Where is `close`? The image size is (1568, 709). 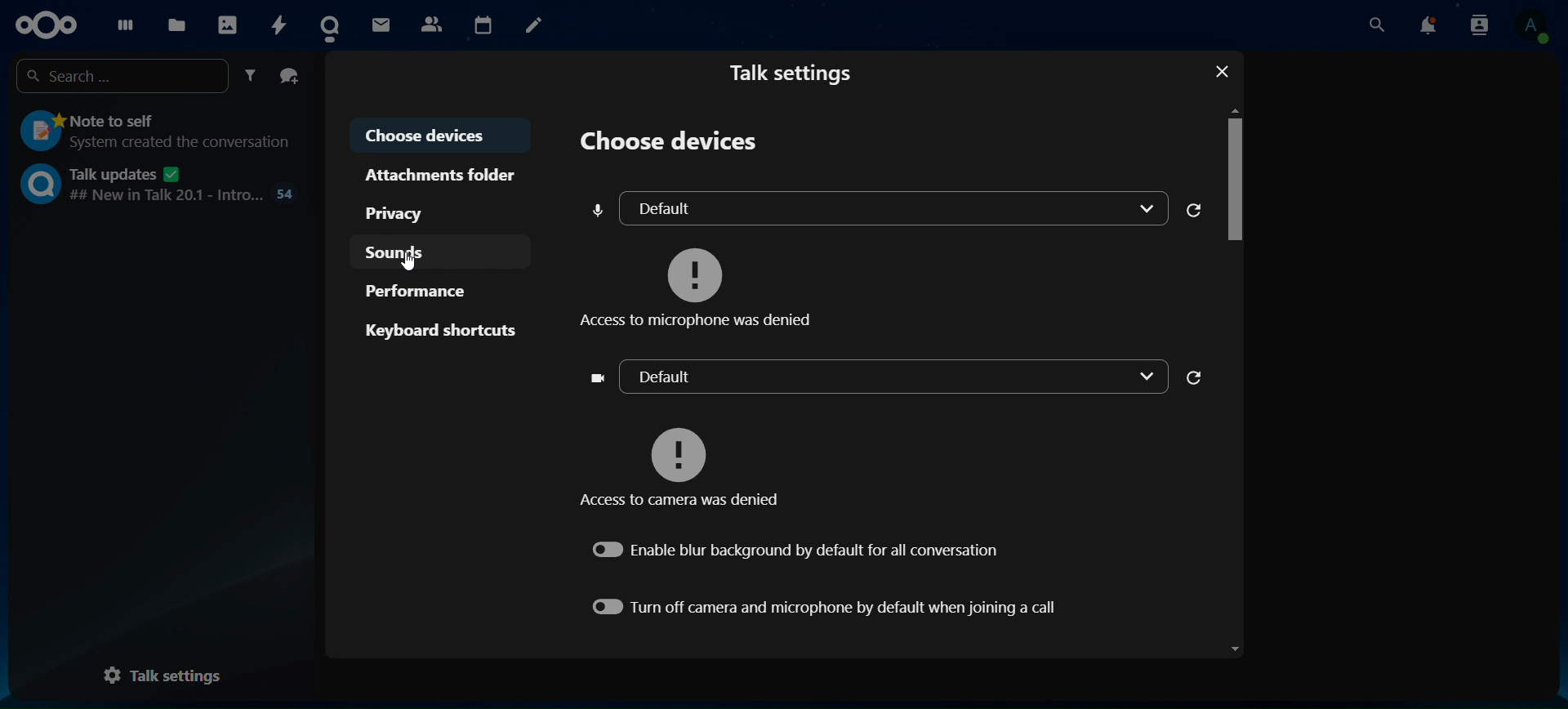 close is located at coordinates (1227, 70).